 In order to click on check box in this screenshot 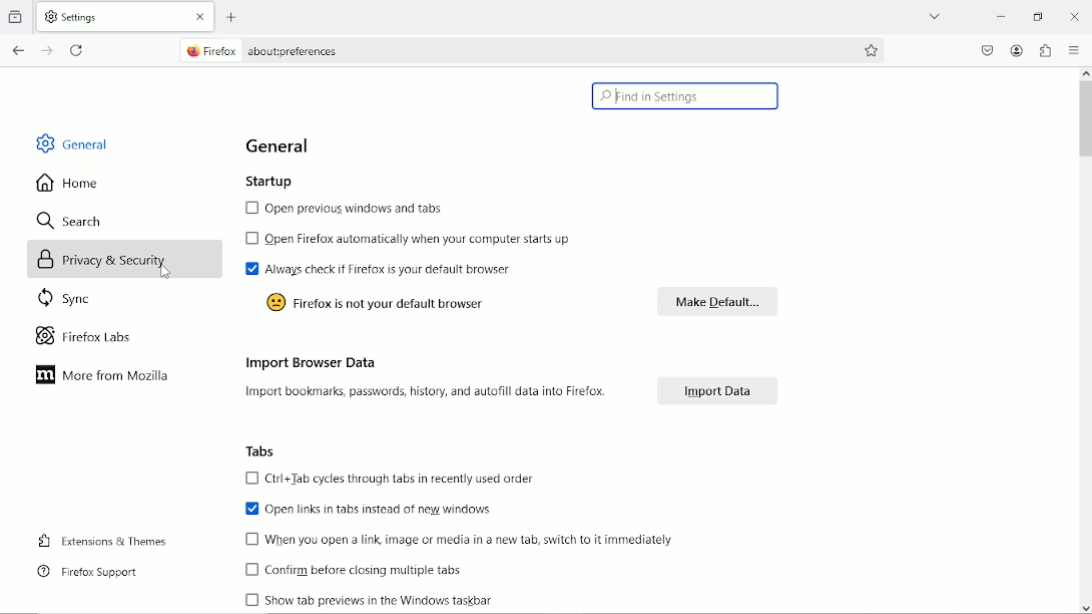, I will do `click(252, 539)`.